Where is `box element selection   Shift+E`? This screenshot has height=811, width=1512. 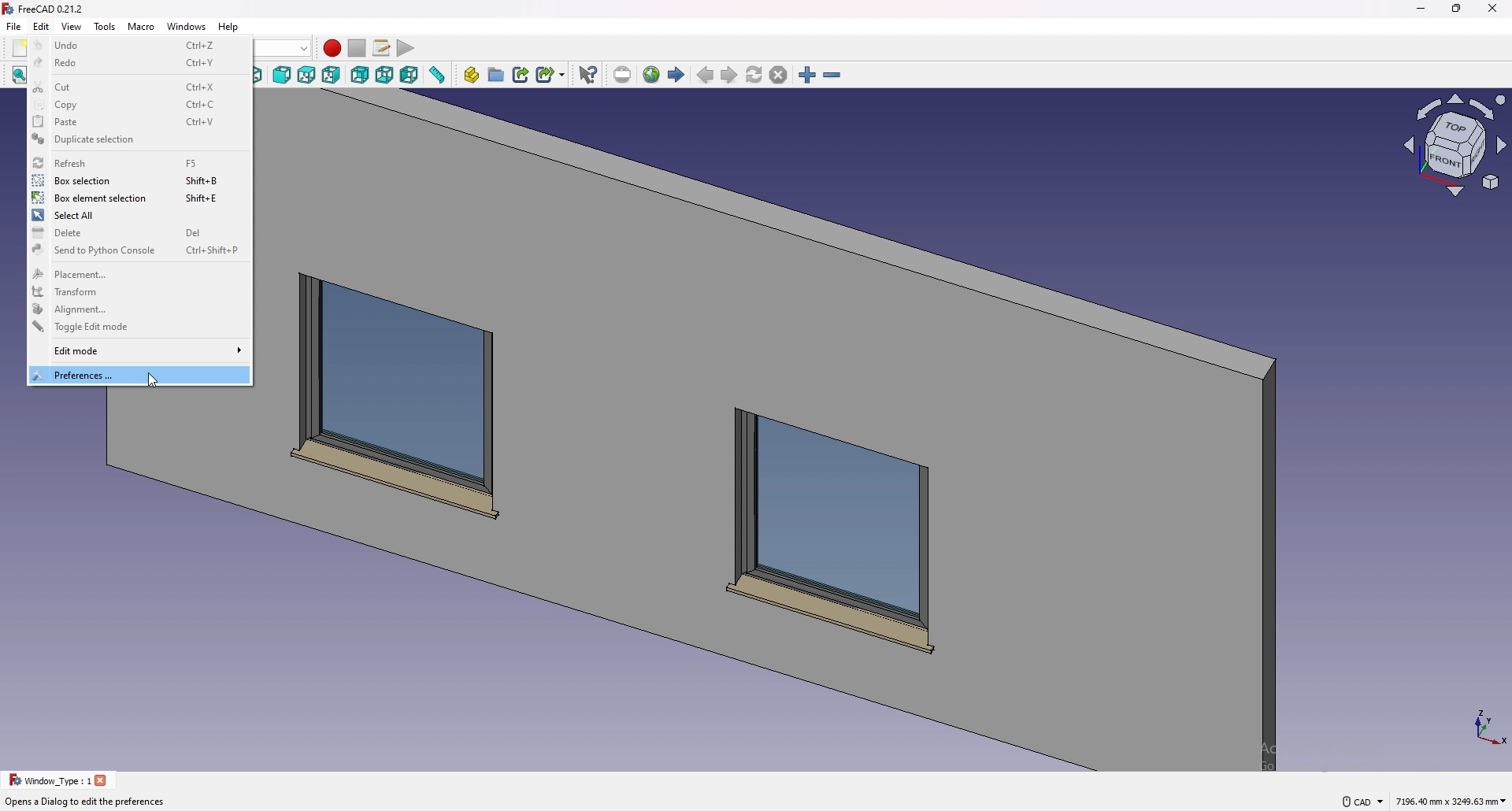
box element selection   Shift+E is located at coordinates (137, 198).